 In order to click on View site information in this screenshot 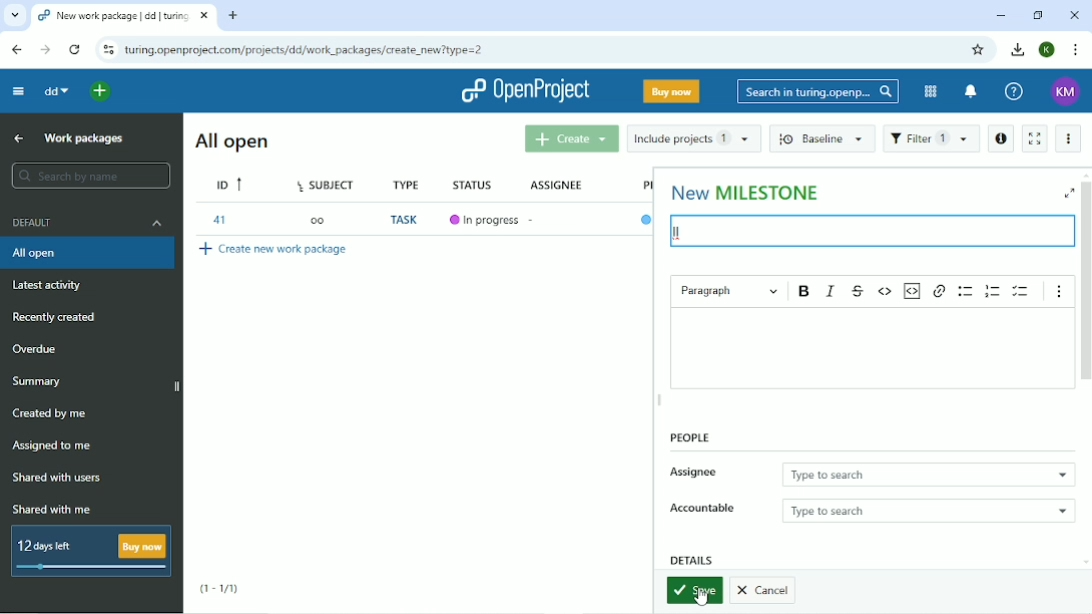, I will do `click(107, 49)`.